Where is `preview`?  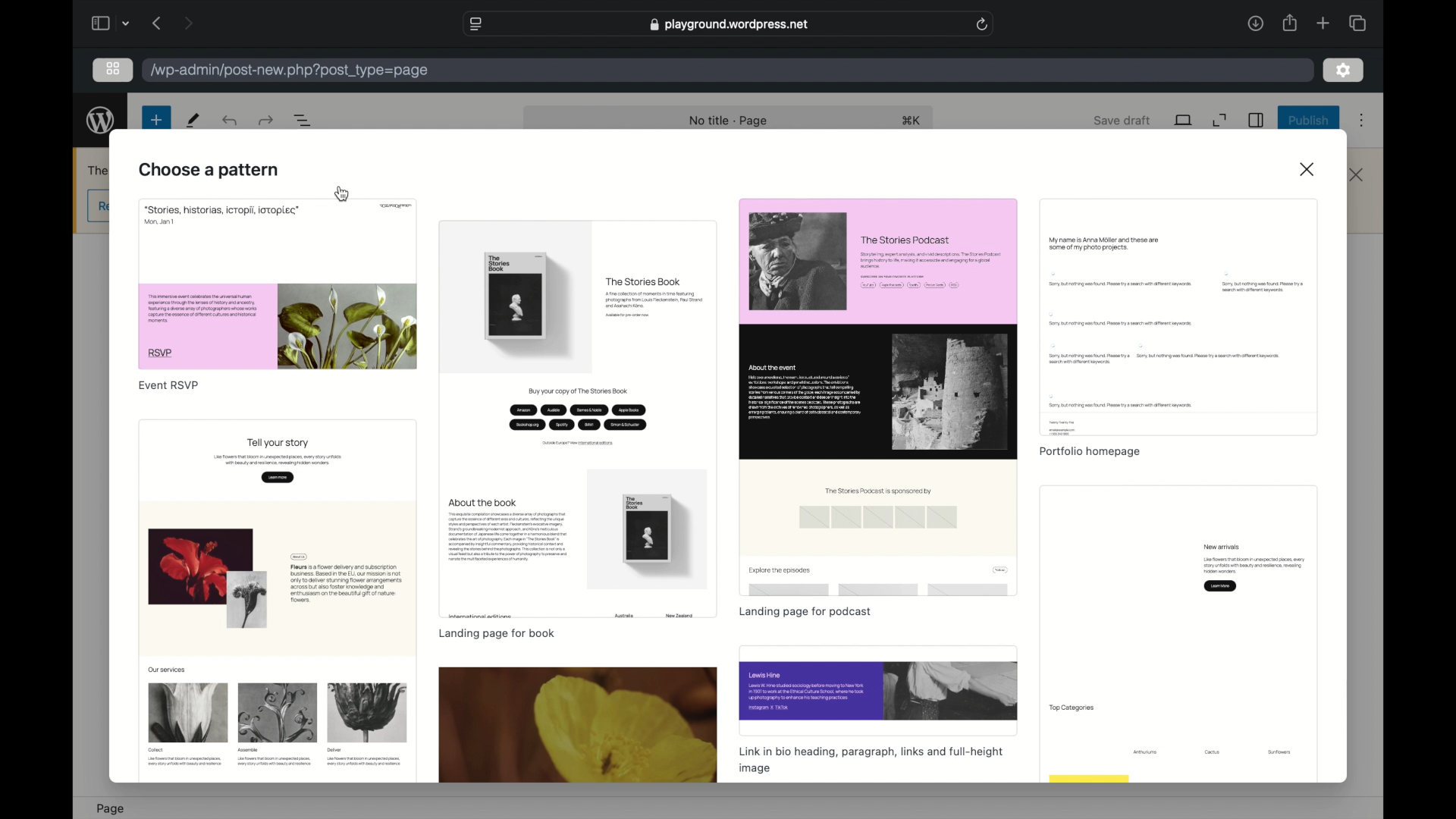
preview is located at coordinates (579, 419).